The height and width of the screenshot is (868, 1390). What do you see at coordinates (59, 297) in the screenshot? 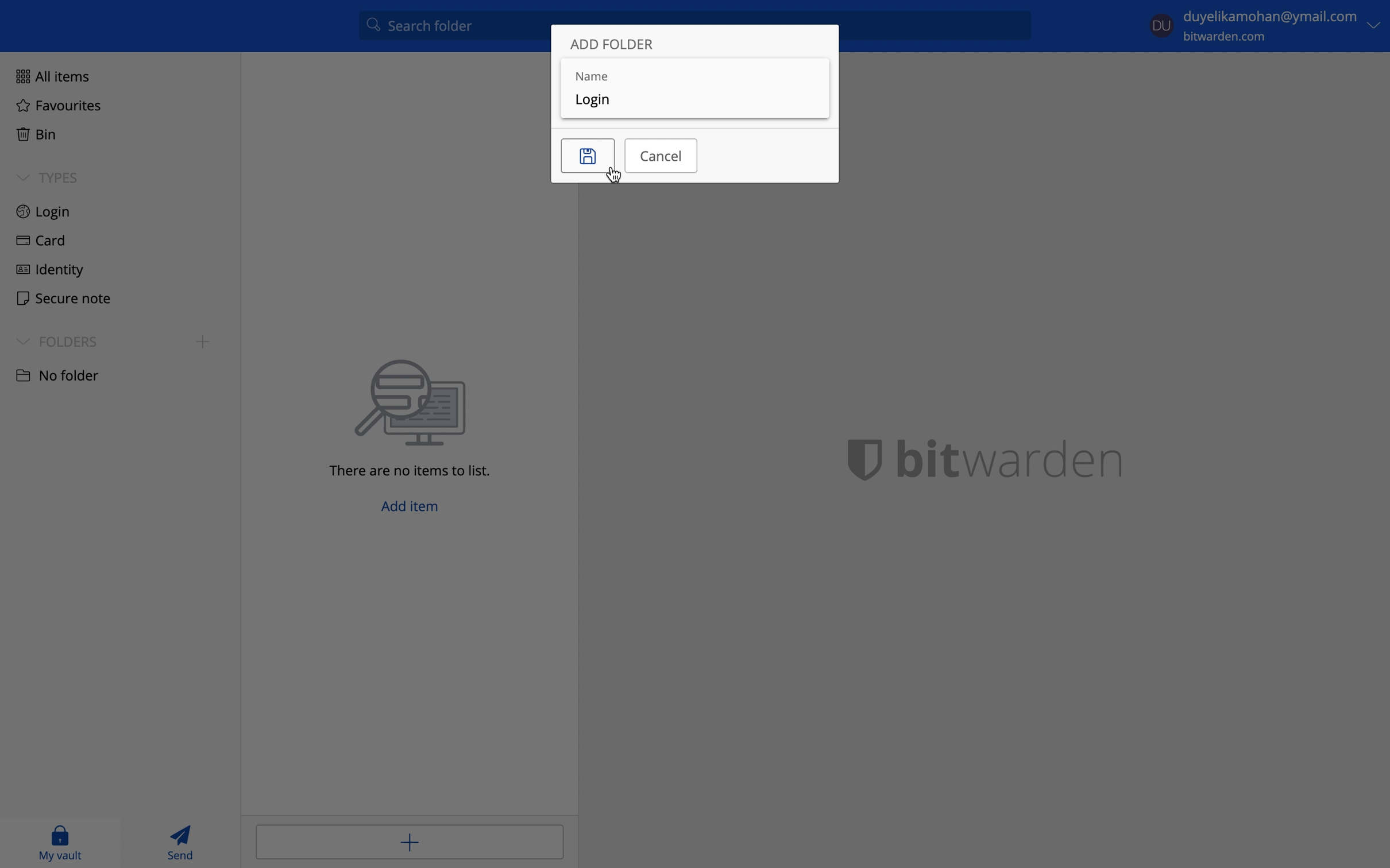
I see `secure note` at bounding box center [59, 297].